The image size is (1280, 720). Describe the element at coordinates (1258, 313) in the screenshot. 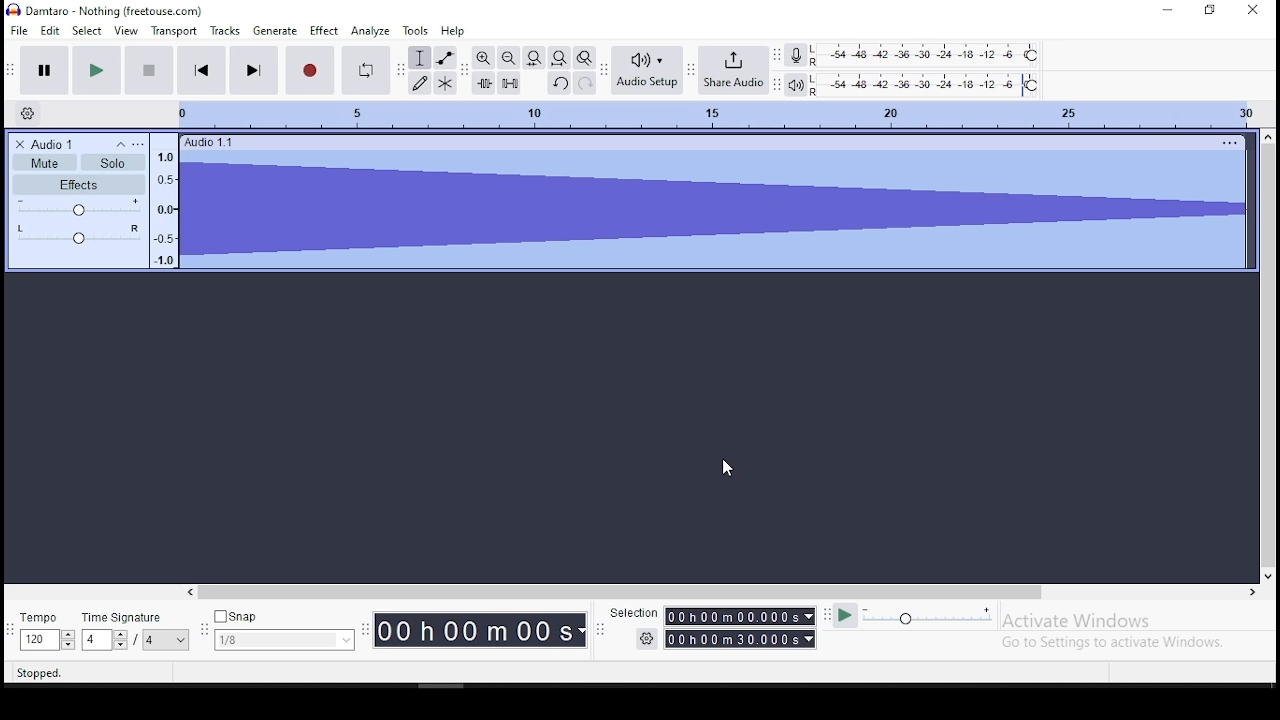

I see `vertical scroll bar` at that location.